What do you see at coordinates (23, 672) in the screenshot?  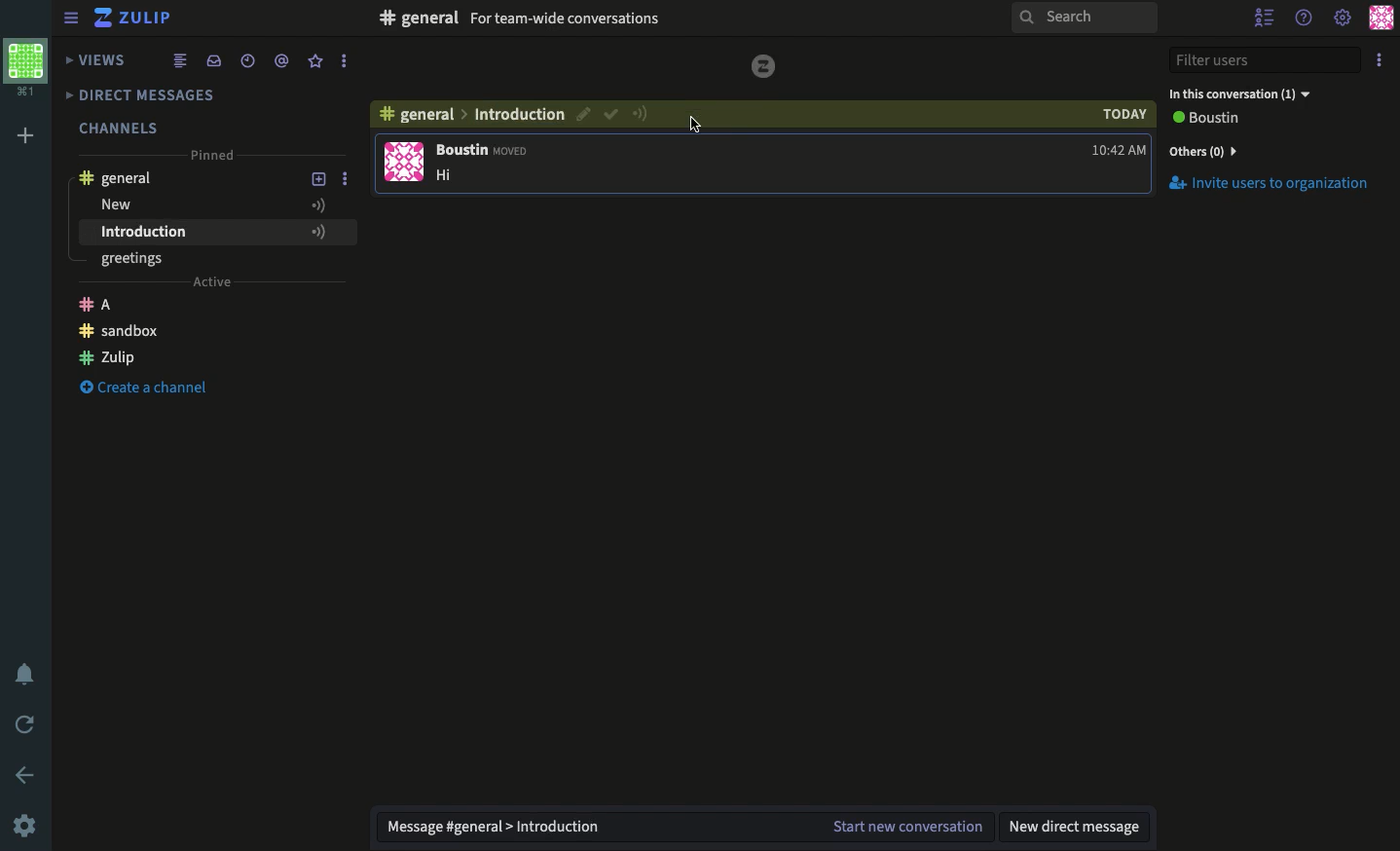 I see `Notification` at bounding box center [23, 672].